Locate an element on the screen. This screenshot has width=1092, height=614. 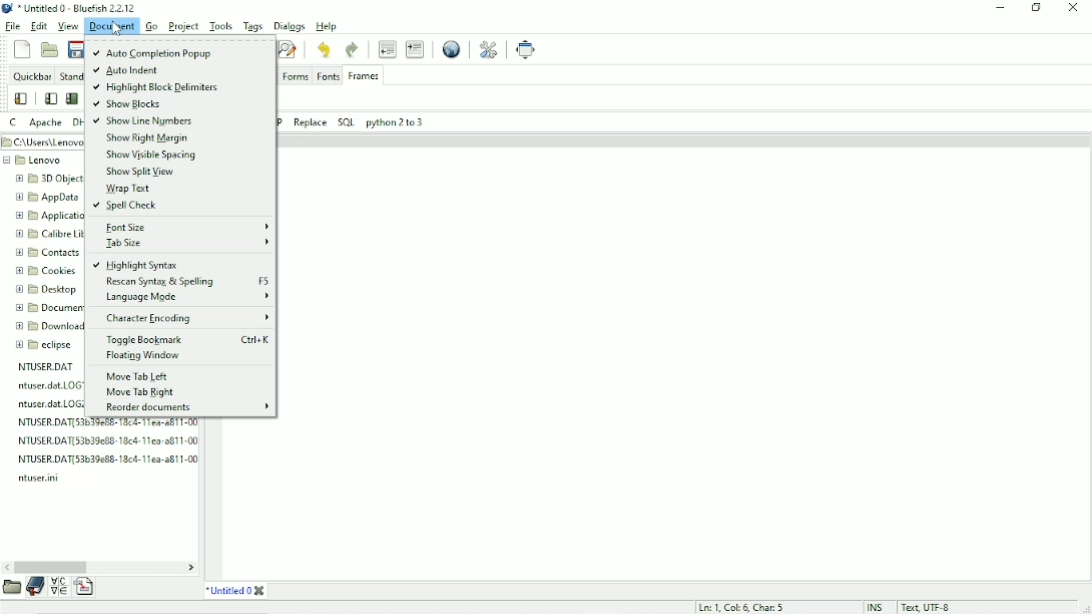
Frames is located at coordinates (365, 76).